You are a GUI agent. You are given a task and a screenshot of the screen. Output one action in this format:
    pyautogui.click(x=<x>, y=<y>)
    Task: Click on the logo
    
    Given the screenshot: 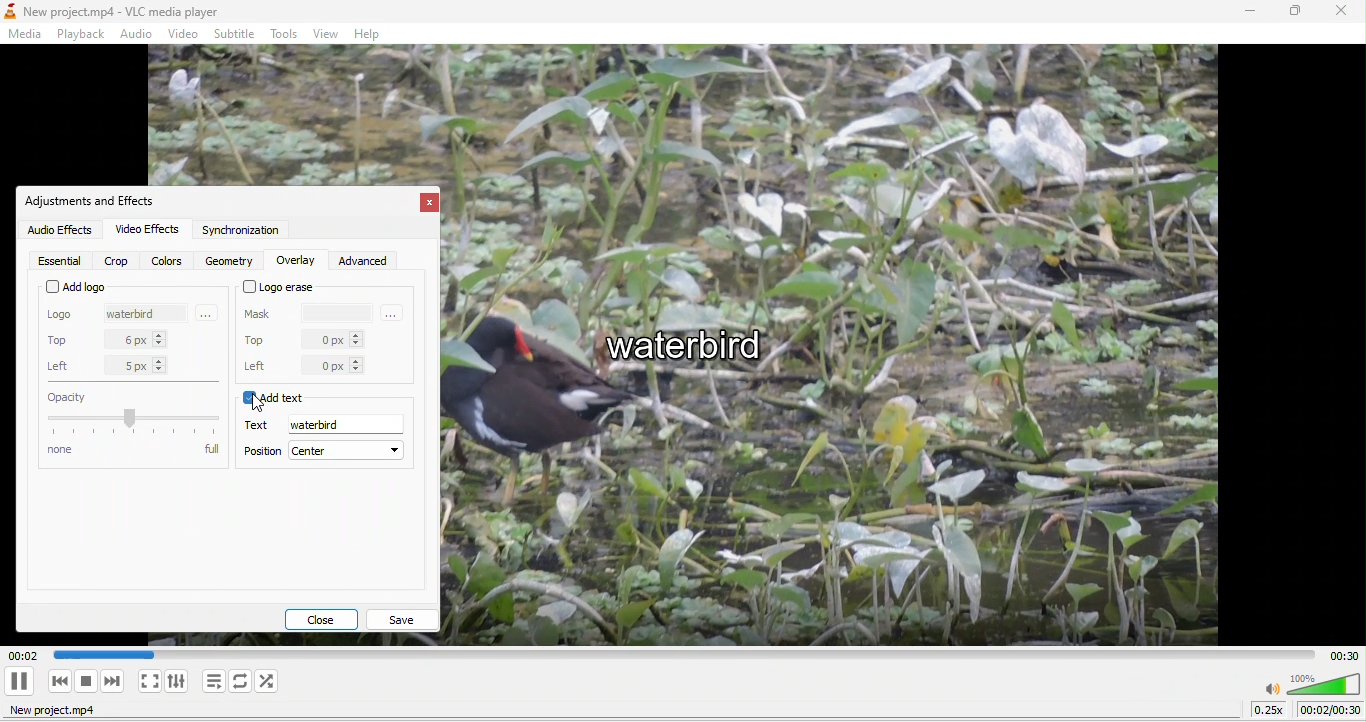 What is the action you would take?
    pyautogui.click(x=65, y=316)
    